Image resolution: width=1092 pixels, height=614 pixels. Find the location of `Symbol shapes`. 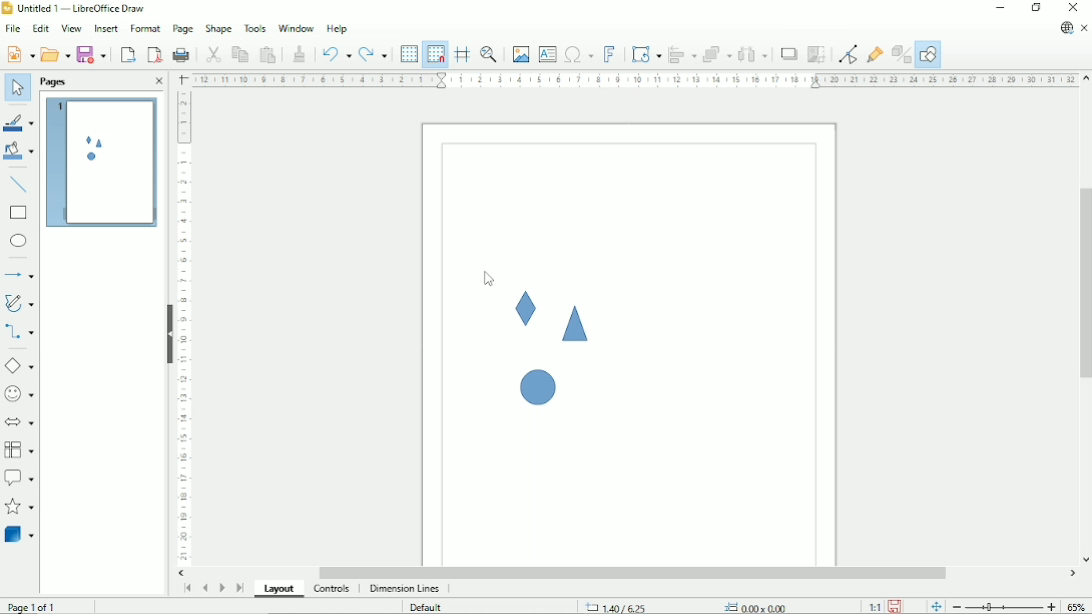

Symbol shapes is located at coordinates (20, 393).